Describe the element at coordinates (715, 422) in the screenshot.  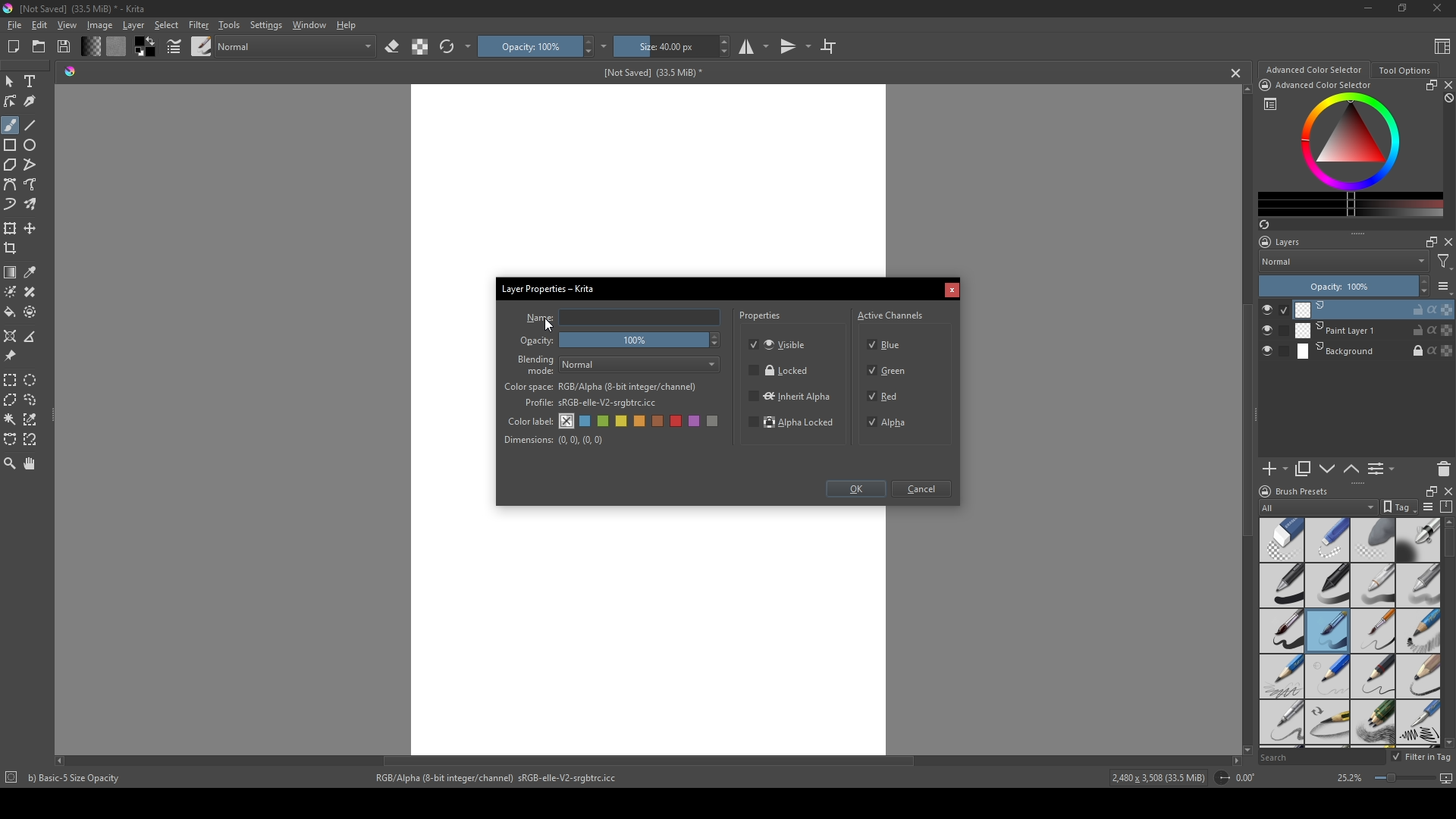
I see `grey` at that location.